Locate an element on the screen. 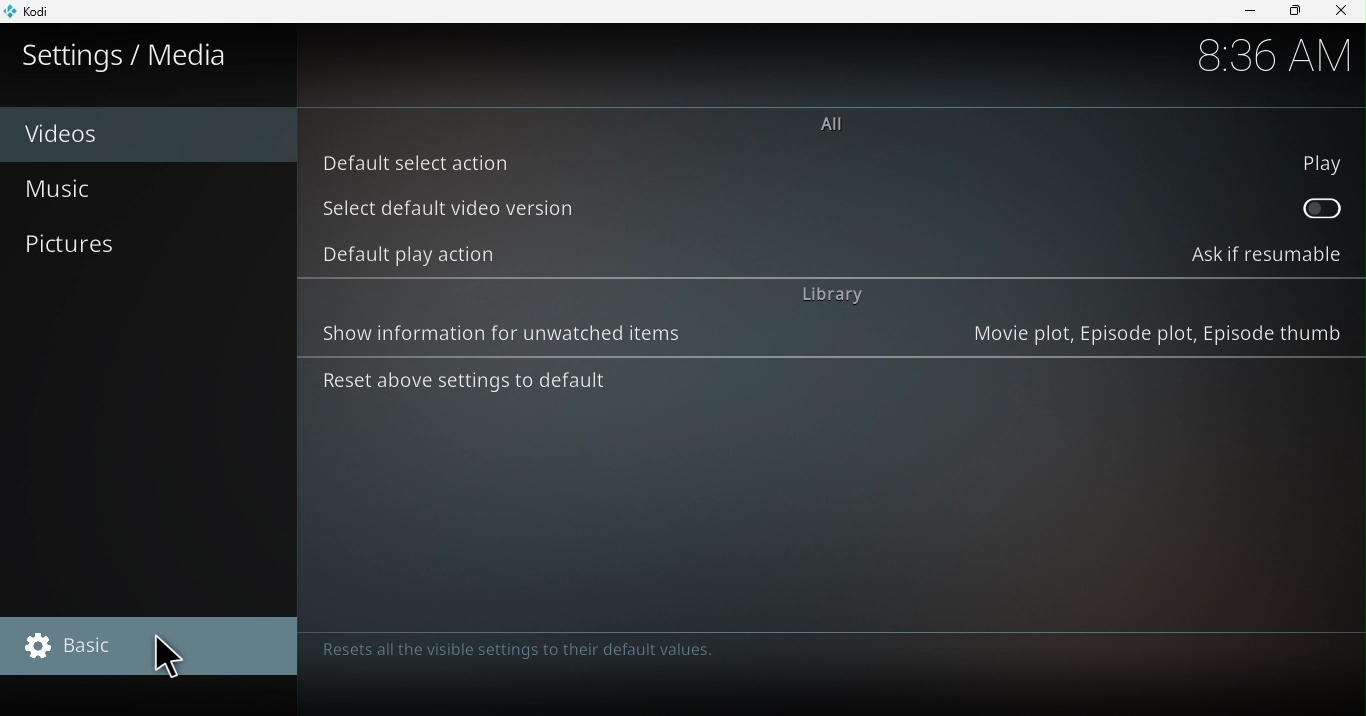 The height and width of the screenshot is (716, 1366). close is located at coordinates (1344, 11).